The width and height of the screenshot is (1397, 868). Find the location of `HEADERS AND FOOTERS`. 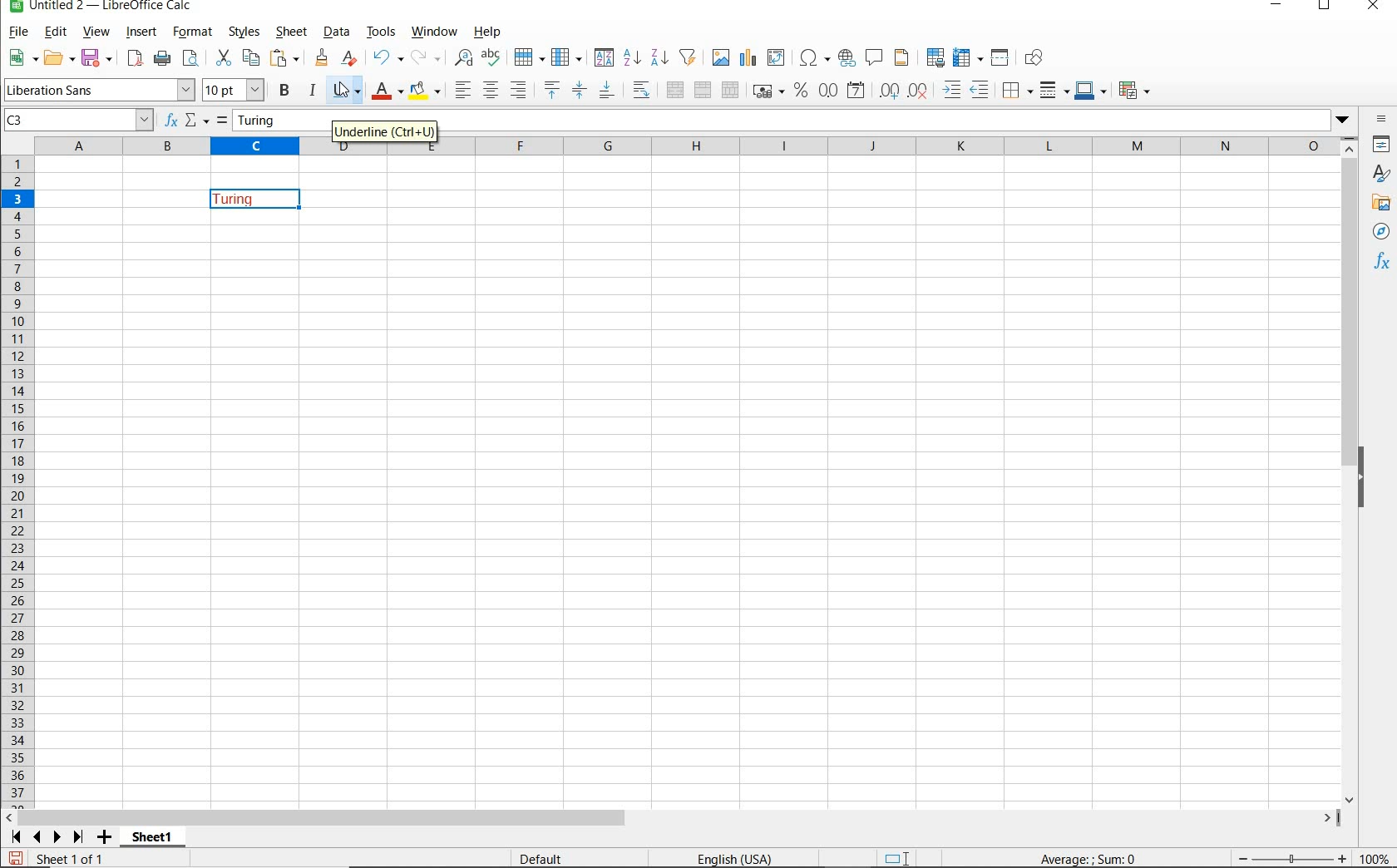

HEADERS AND FOOTERS is located at coordinates (901, 58).